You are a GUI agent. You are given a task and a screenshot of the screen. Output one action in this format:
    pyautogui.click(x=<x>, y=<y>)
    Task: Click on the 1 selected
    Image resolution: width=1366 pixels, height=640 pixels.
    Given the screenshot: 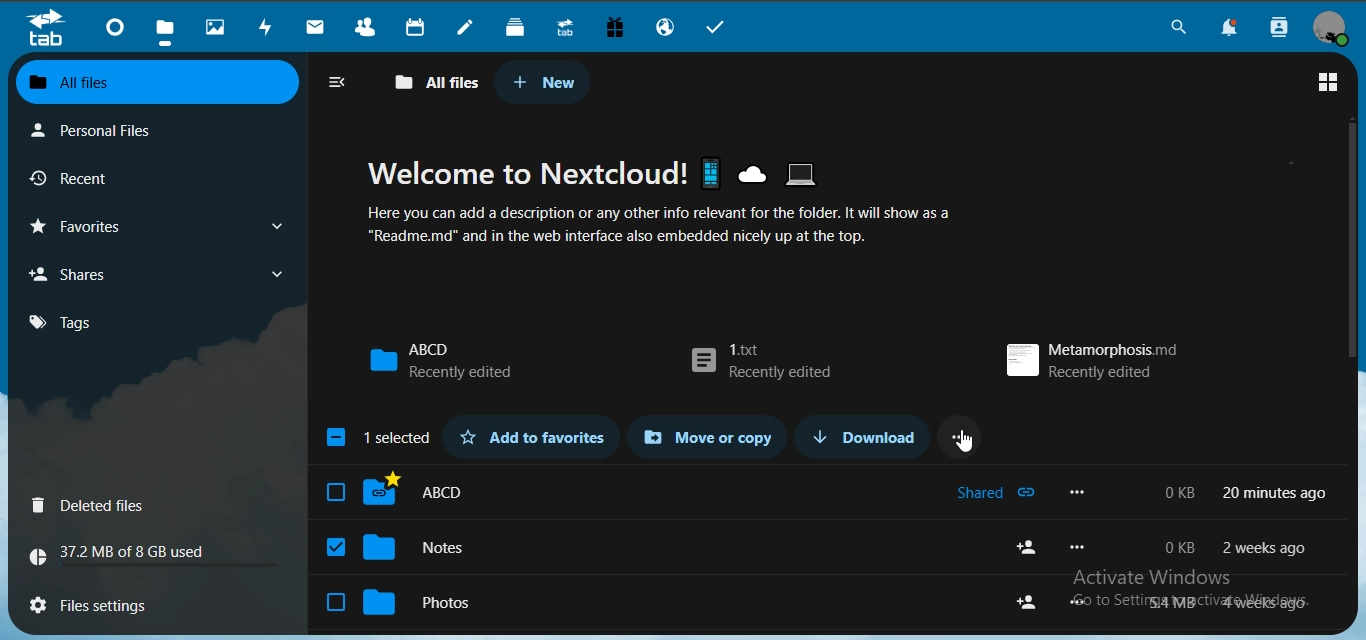 What is the action you would take?
    pyautogui.click(x=378, y=436)
    